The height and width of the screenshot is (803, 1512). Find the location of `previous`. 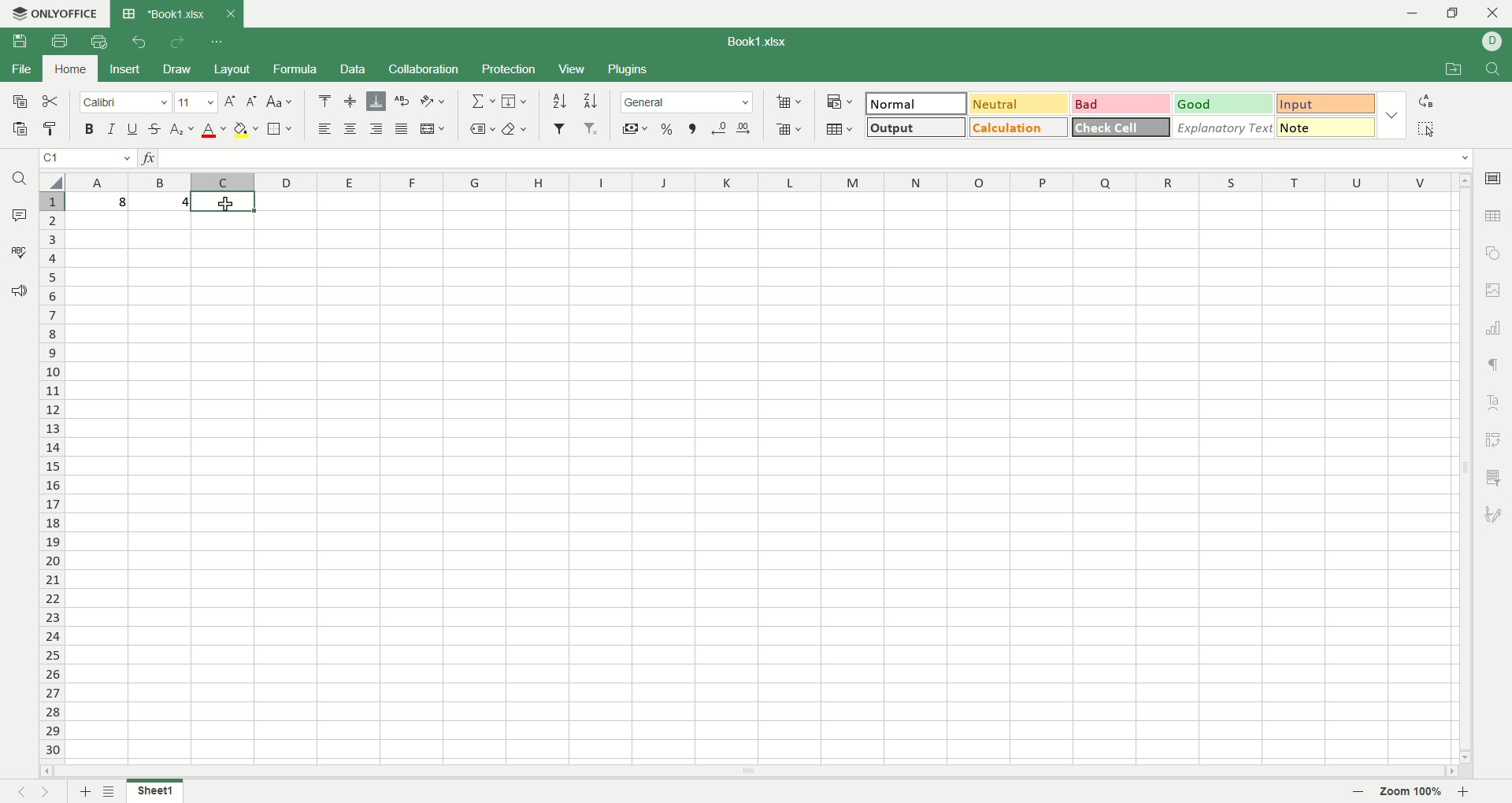

previous is located at coordinates (20, 790).